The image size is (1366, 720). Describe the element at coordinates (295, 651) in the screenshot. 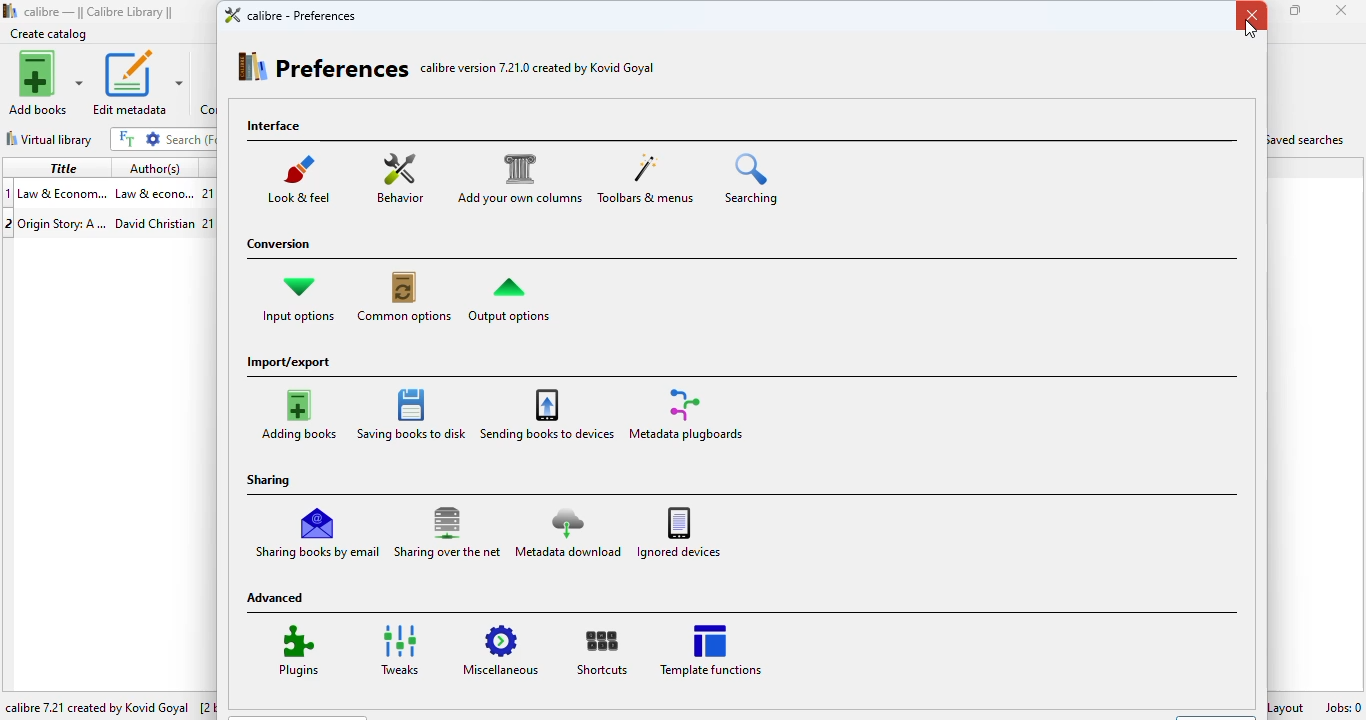

I see `plugins` at that location.